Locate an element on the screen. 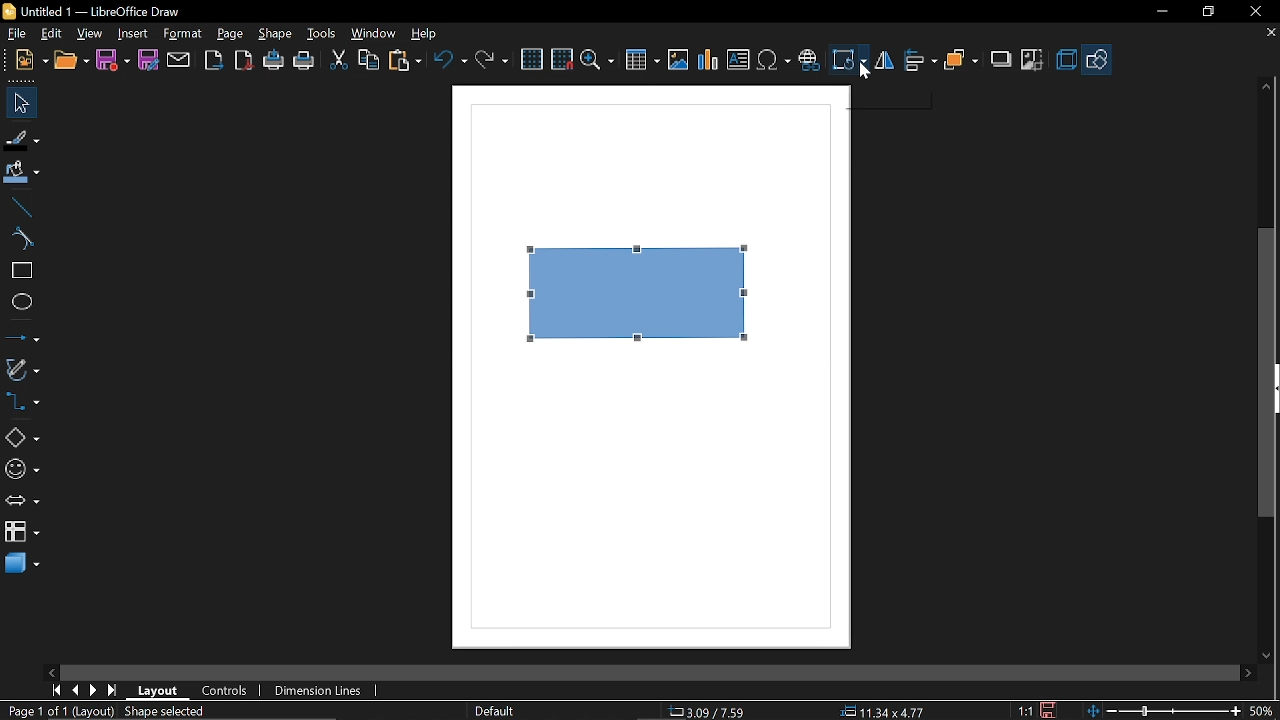  flowchart is located at coordinates (21, 534).